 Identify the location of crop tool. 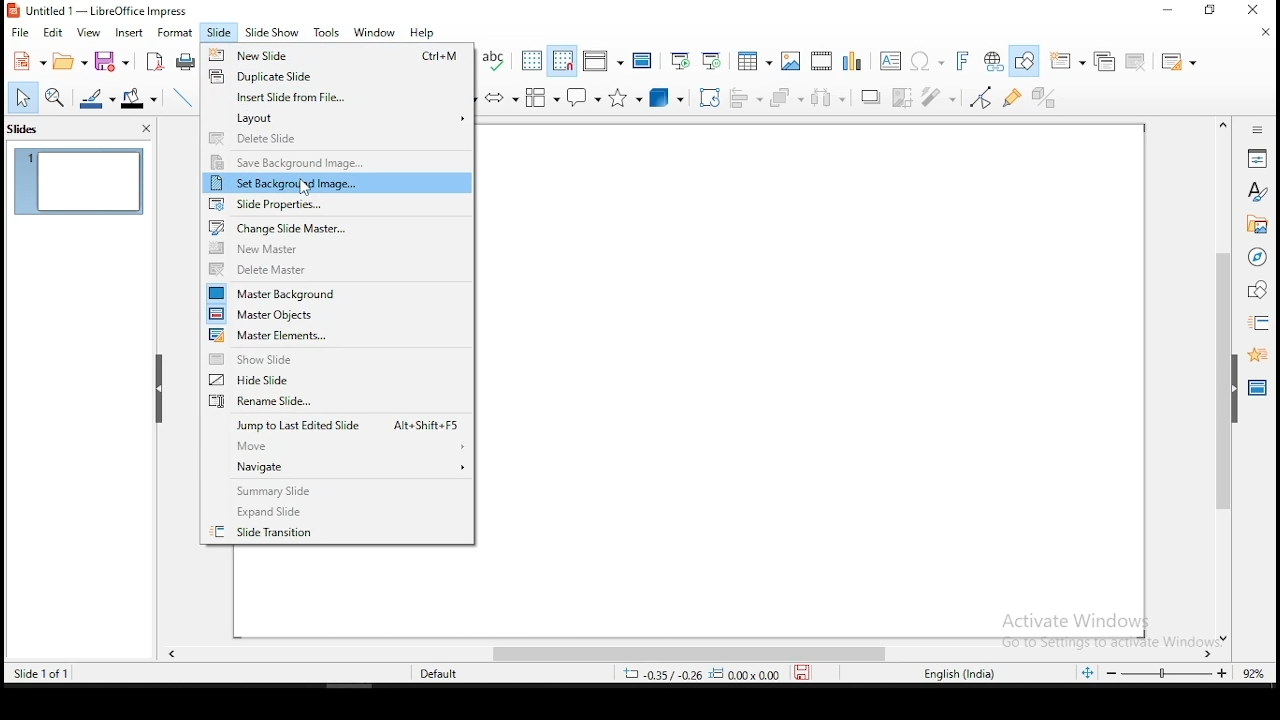
(709, 98).